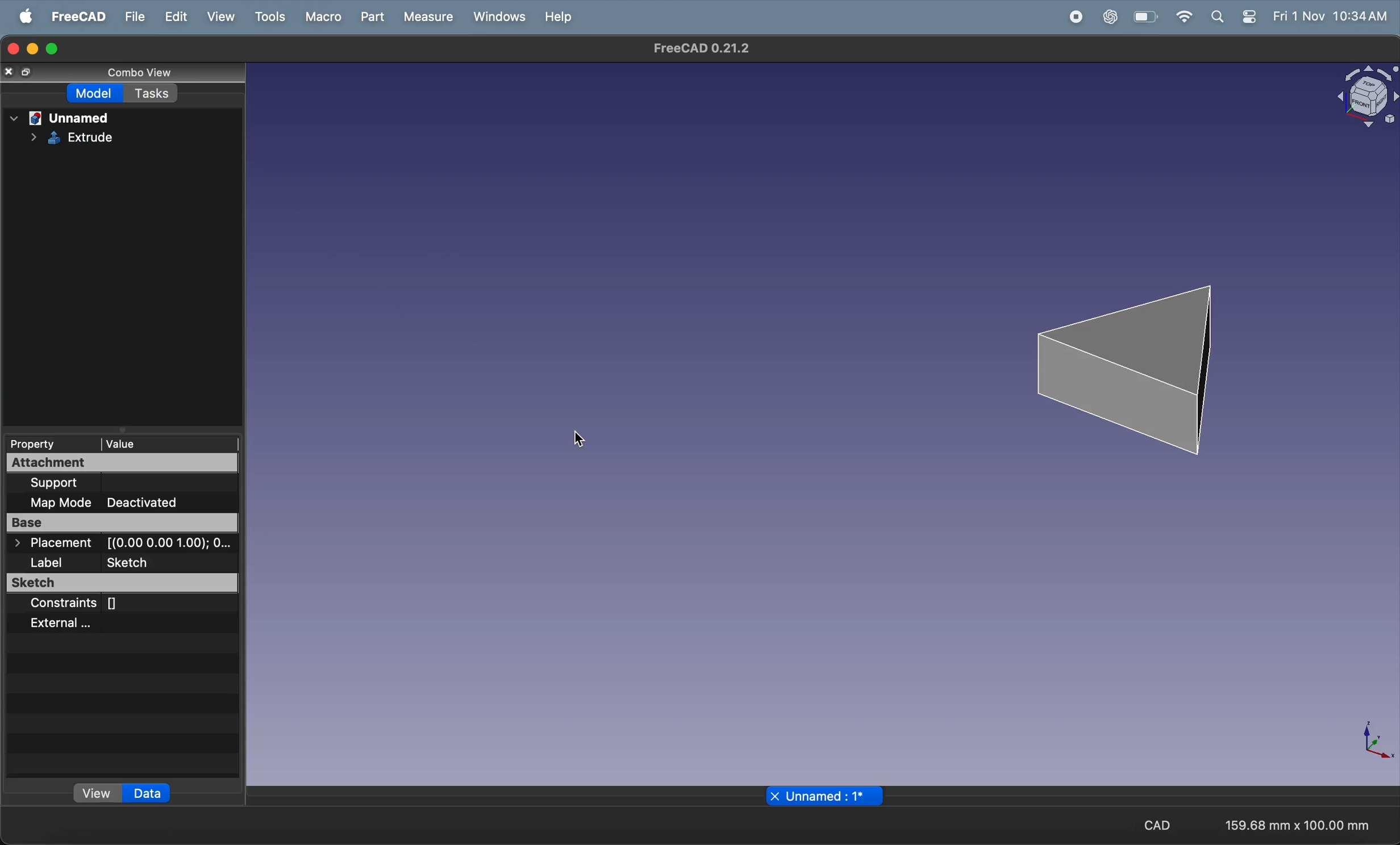 This screenshot has width=1400, height=845. Describe the element at coordinates (499, 18) in the screenshot. I see `windows` at that location.